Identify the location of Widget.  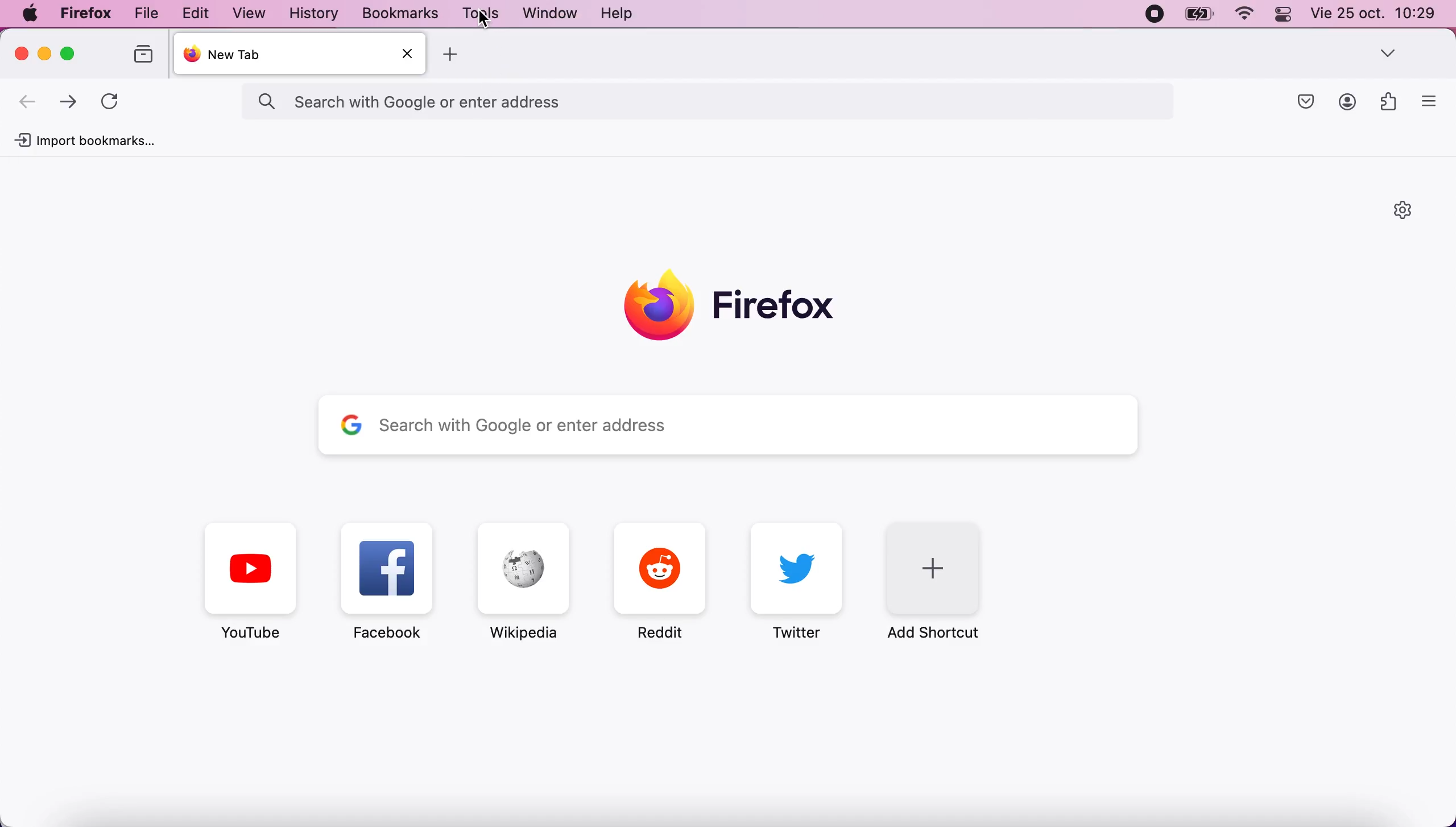
(1390, 101).